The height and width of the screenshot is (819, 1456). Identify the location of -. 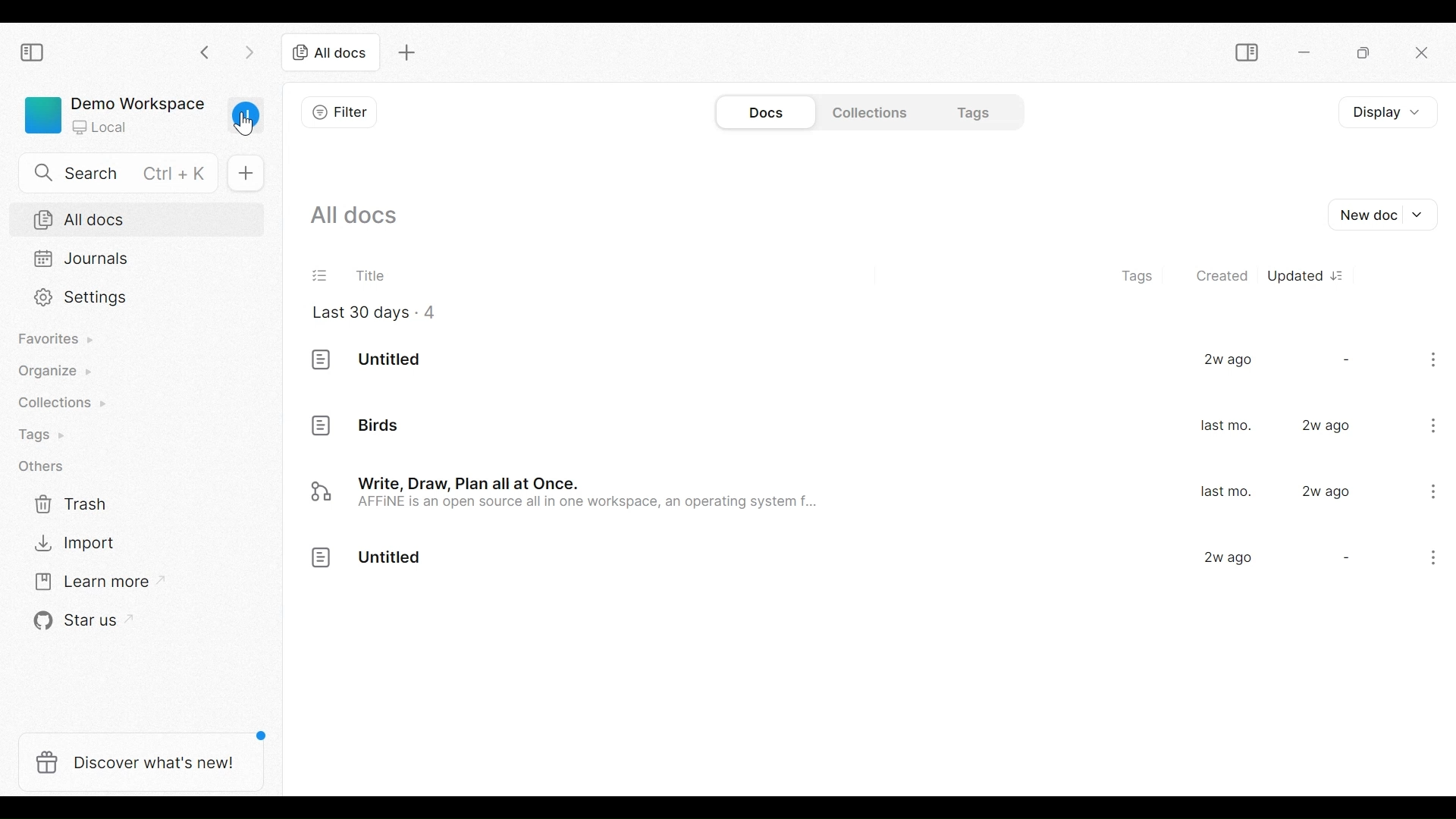
(1345, 359).